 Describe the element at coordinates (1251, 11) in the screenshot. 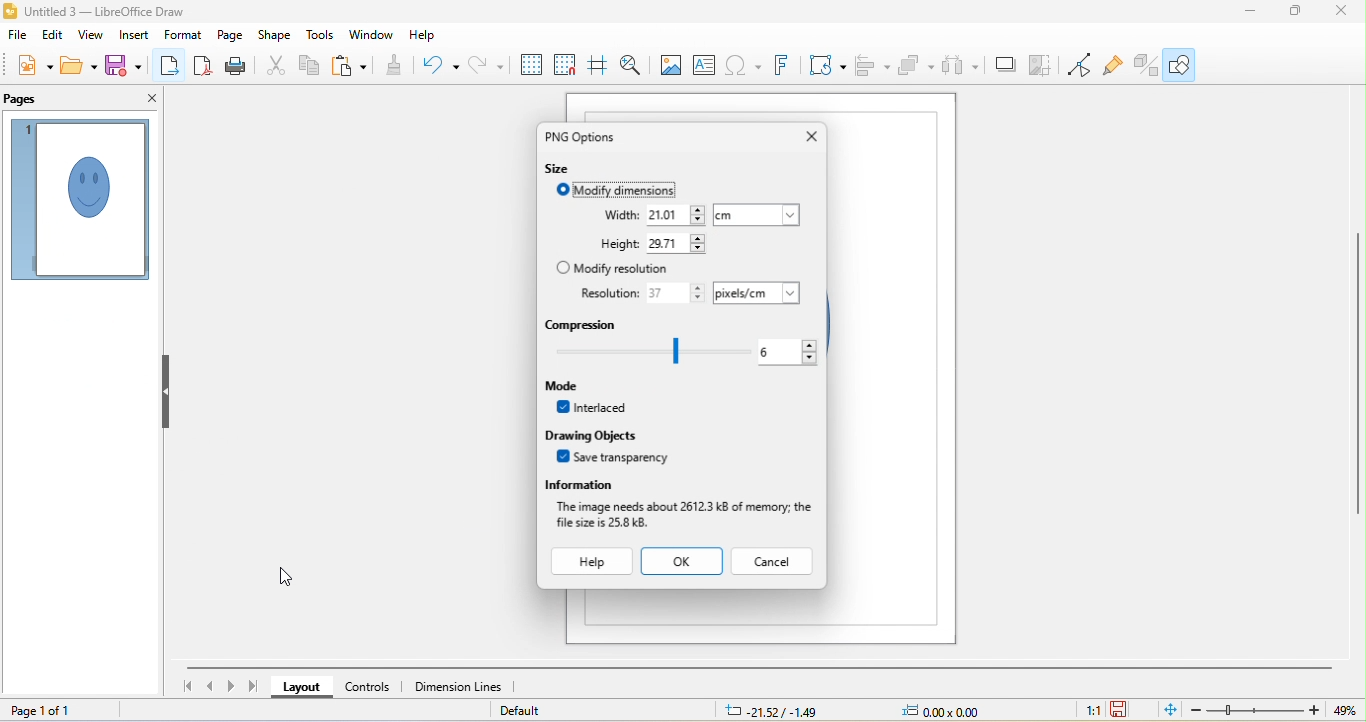

I see `minimize` at that location.